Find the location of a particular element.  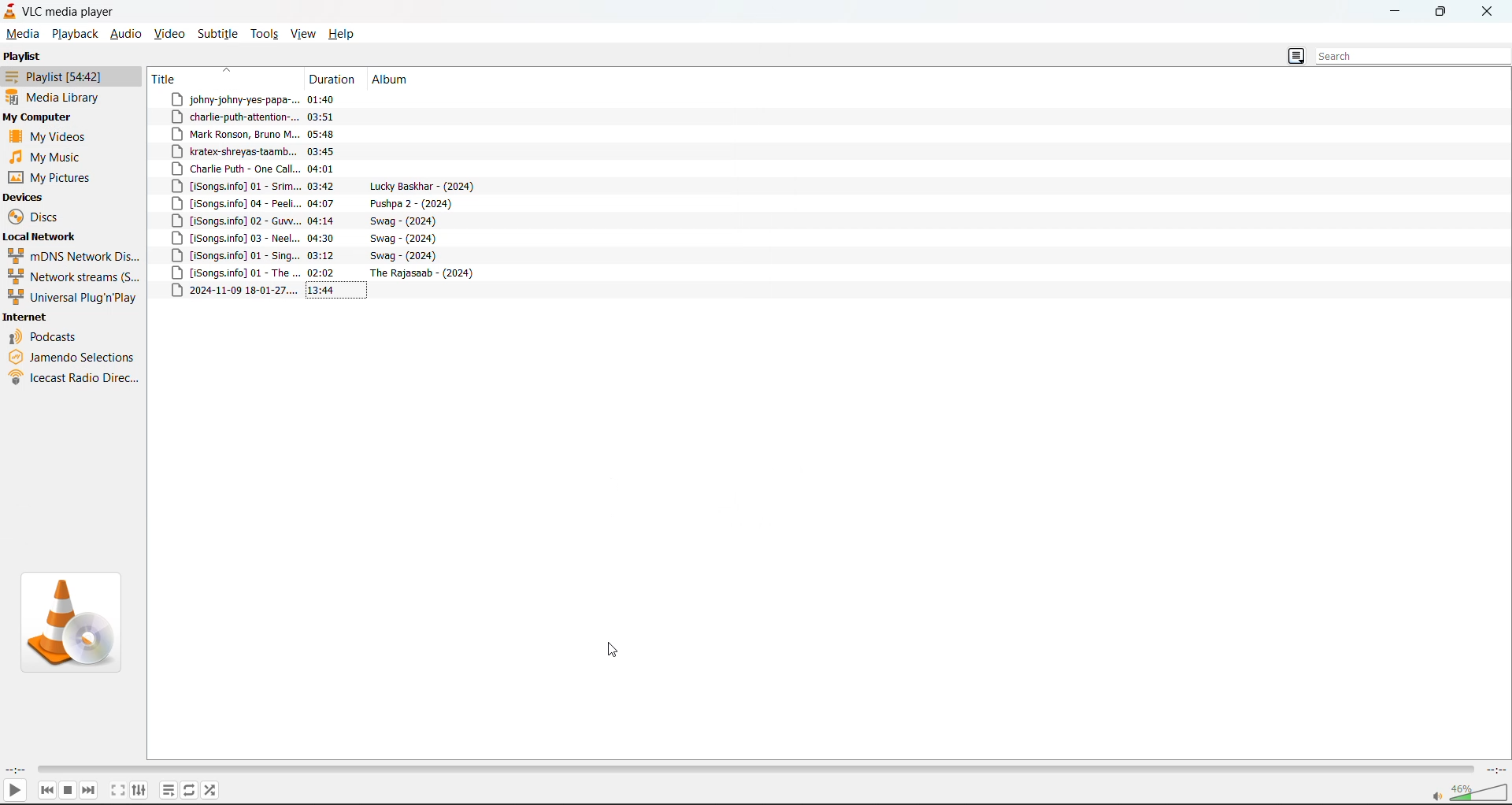

my computer is located at coordinates (41, 118).